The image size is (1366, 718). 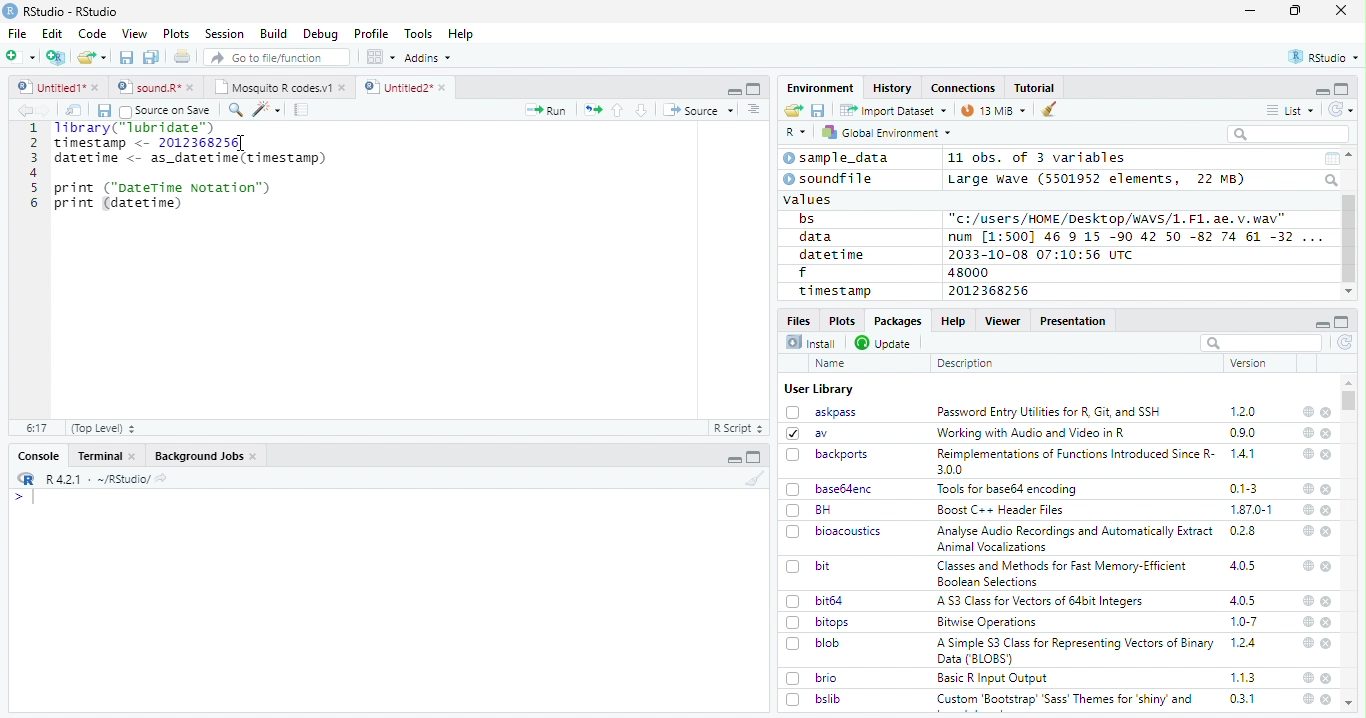 I want to click on bit64, so click(x=815, y=601).